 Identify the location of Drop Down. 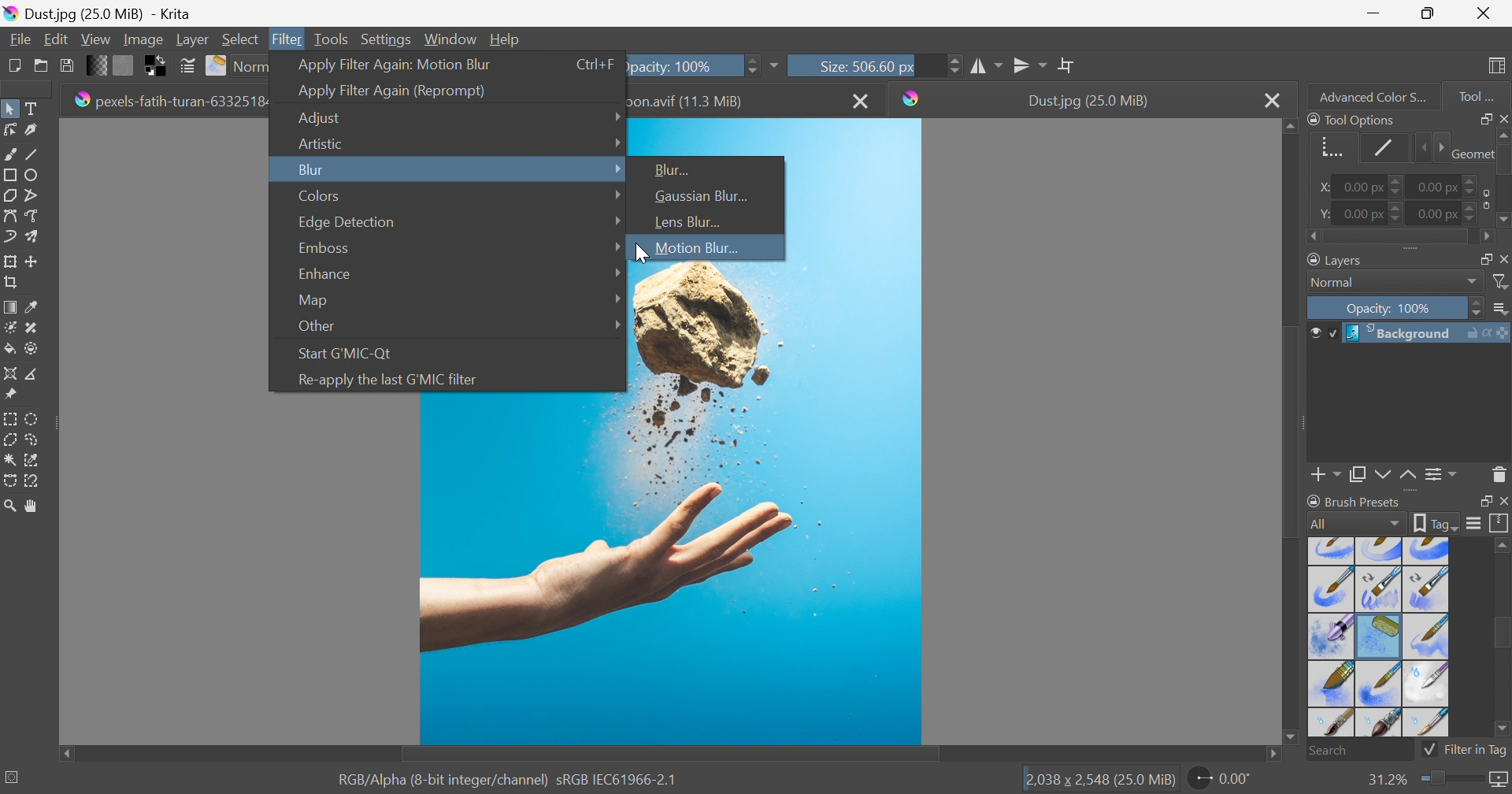
(1473, 282).